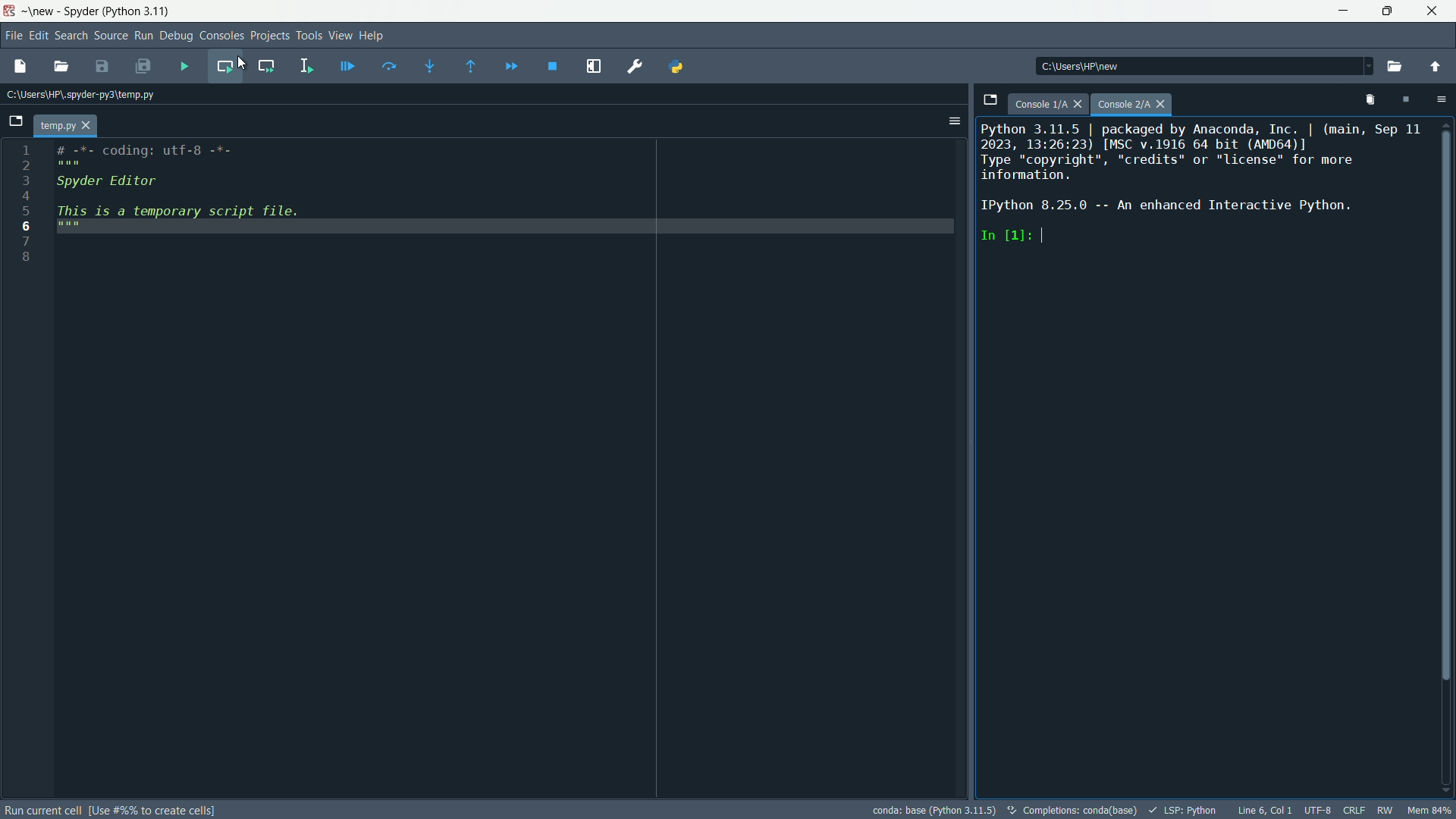  Describe the element at coordinates (393, 67) in the screenshot. I see `execute current line` at that location.